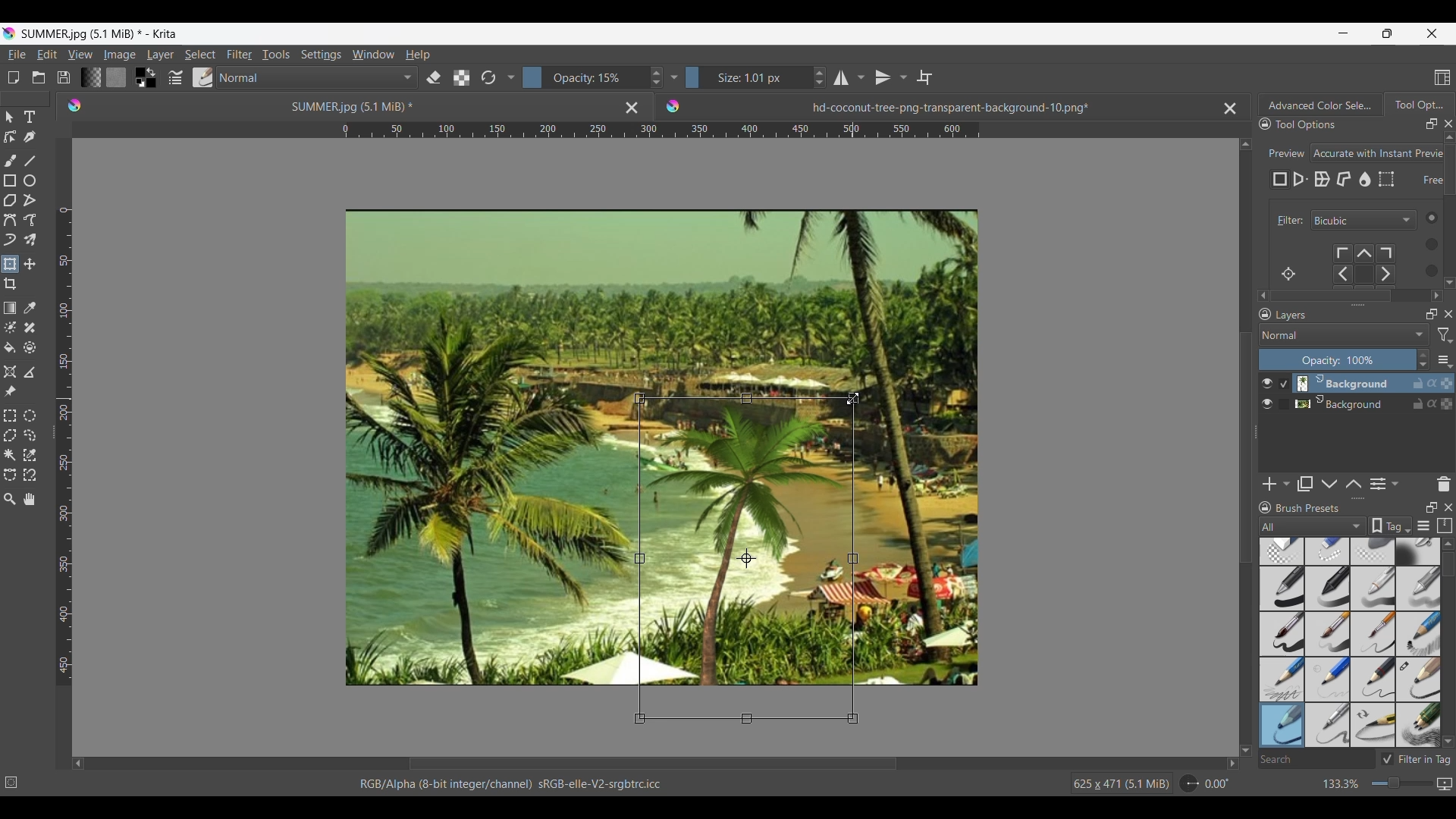 Image resolution: width=1456 pixels, height=819 pixels. I want to click on Open an existing document, so click(38, 77).